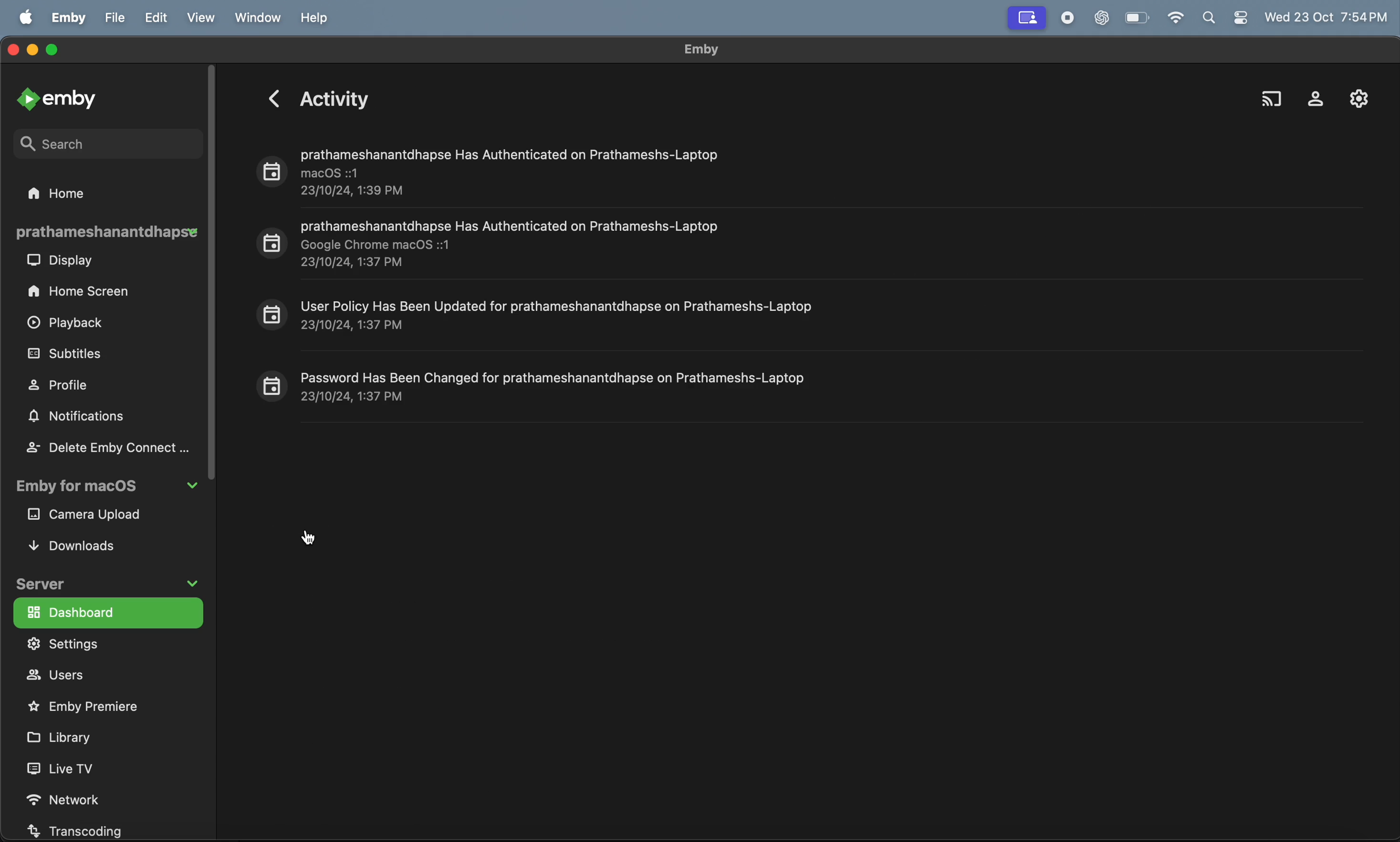 The image size is (1400, 842). What do you see at coordinates (76, 192) in the screenshot?
I see `home` at bounding box center [76, 192].